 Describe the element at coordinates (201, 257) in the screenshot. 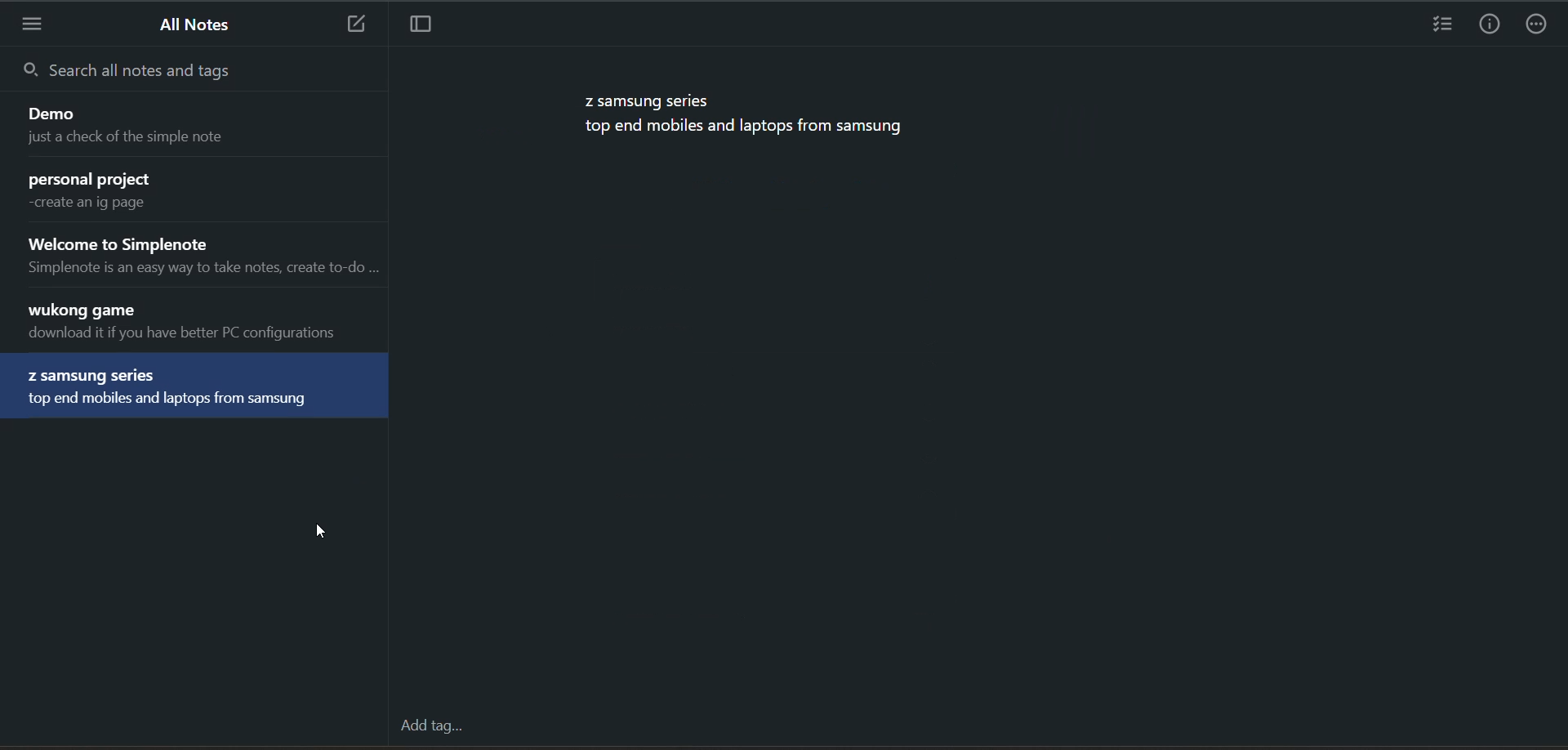

I see `Welcome to Simplenote
Simplenote is an easy way to take notes, create to-do ...` at that location.